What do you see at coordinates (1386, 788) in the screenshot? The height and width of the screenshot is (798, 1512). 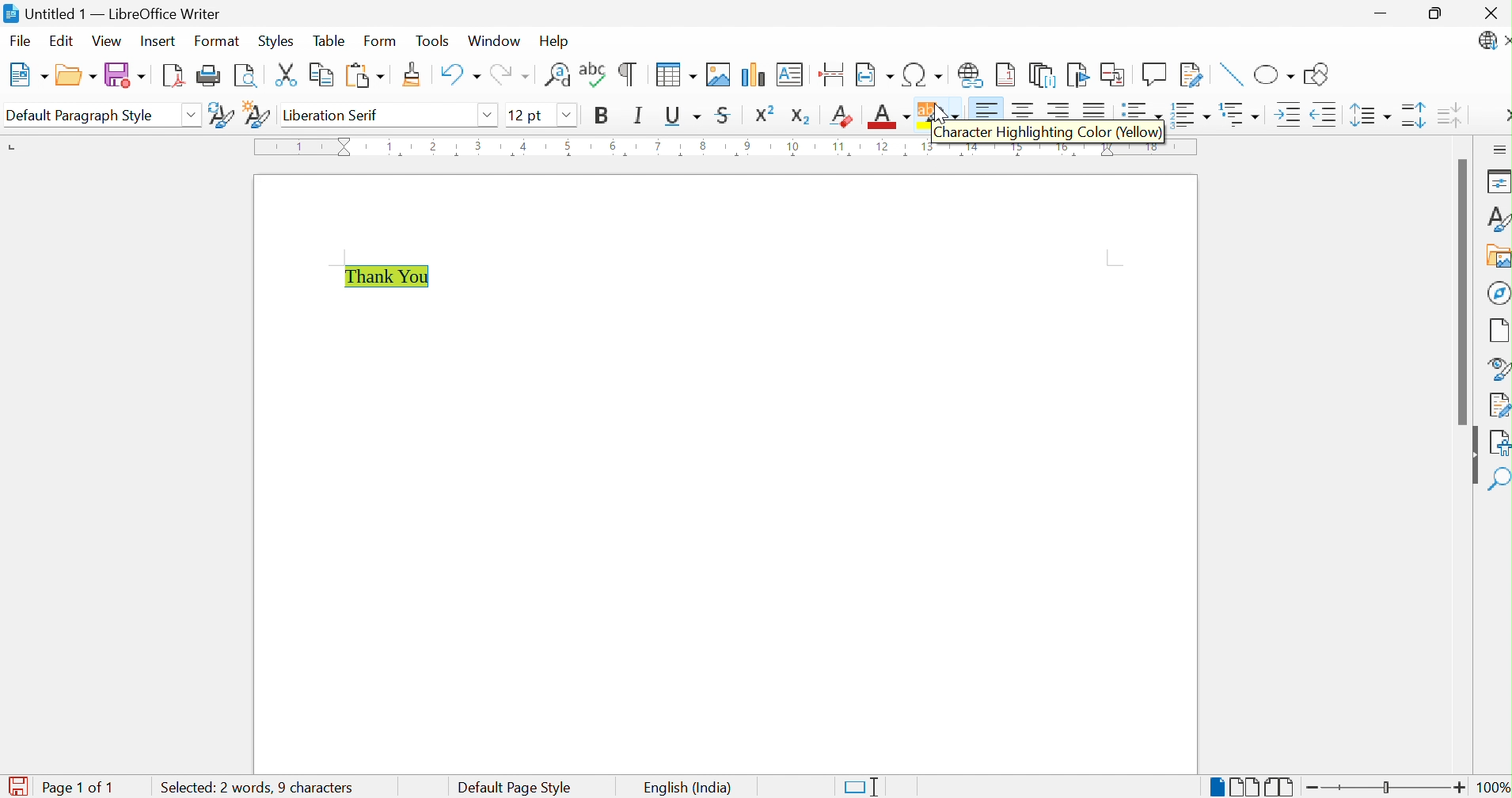 I see `Slider` at bounding box center [1386, 788].